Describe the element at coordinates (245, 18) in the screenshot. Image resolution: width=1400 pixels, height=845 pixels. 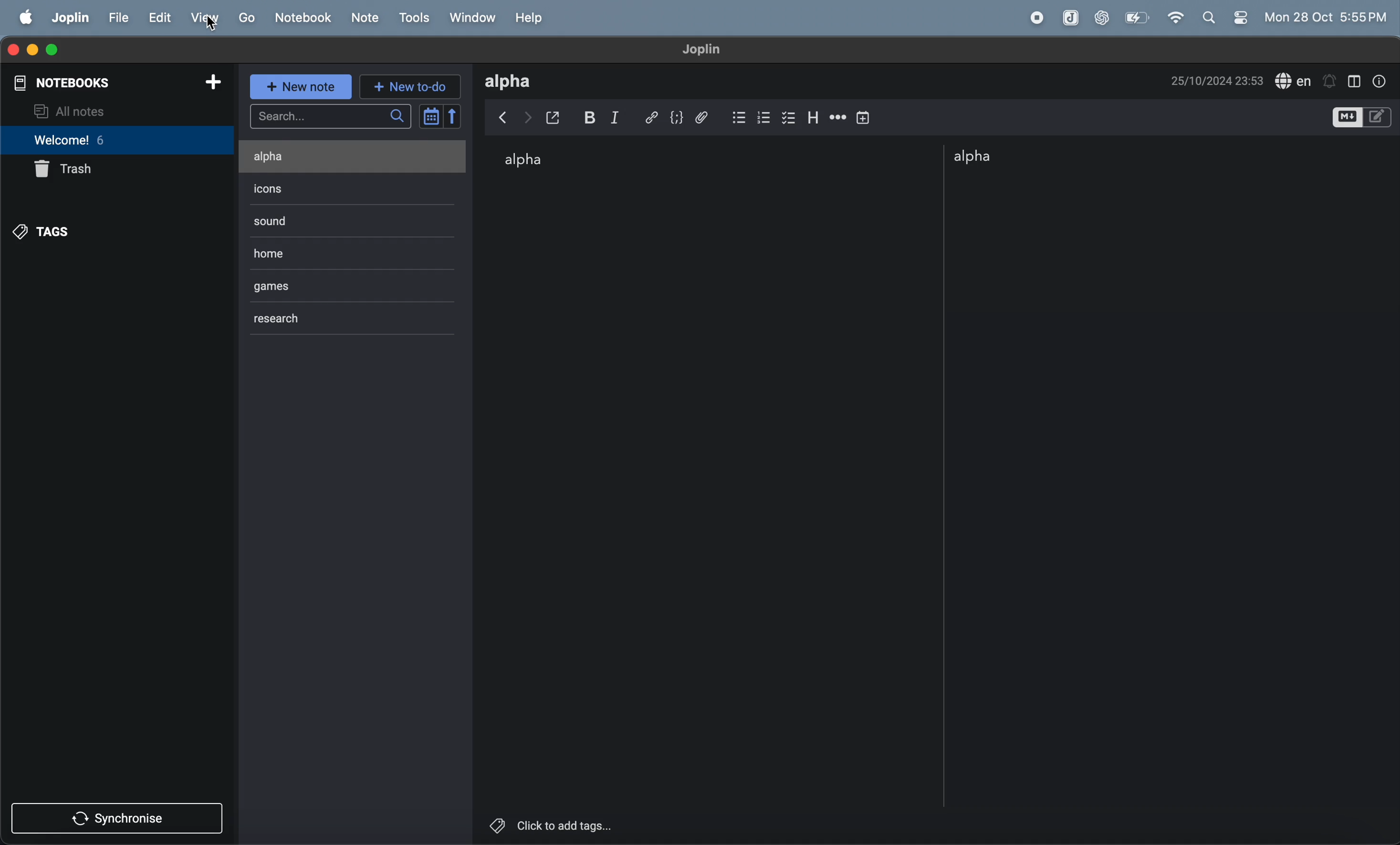
I see `go` at that location.